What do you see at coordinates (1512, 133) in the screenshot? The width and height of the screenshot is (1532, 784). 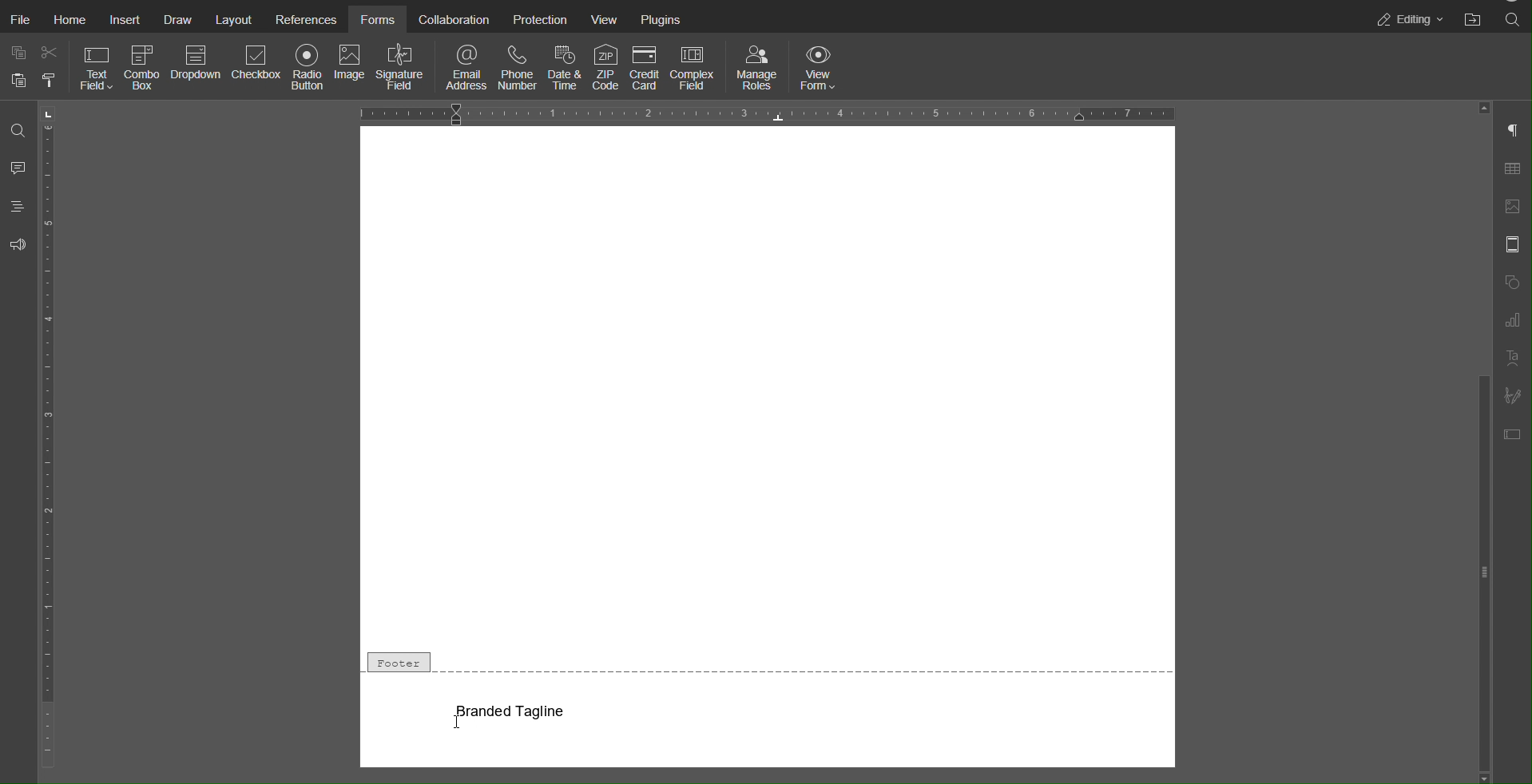 I see `Paragraph Settings` at bounding box center [1512, 133].